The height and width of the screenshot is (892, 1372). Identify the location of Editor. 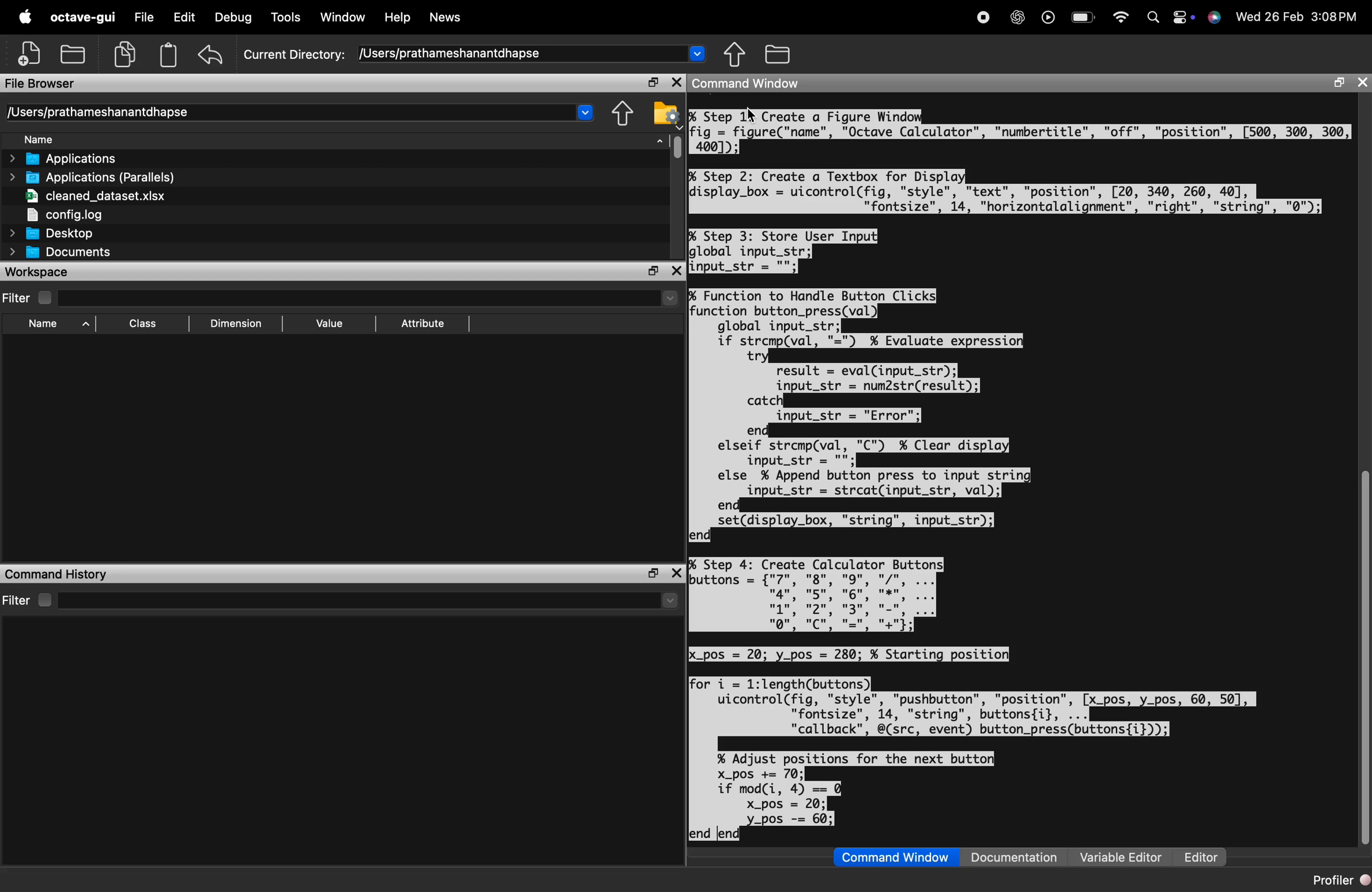
(1204, 856).